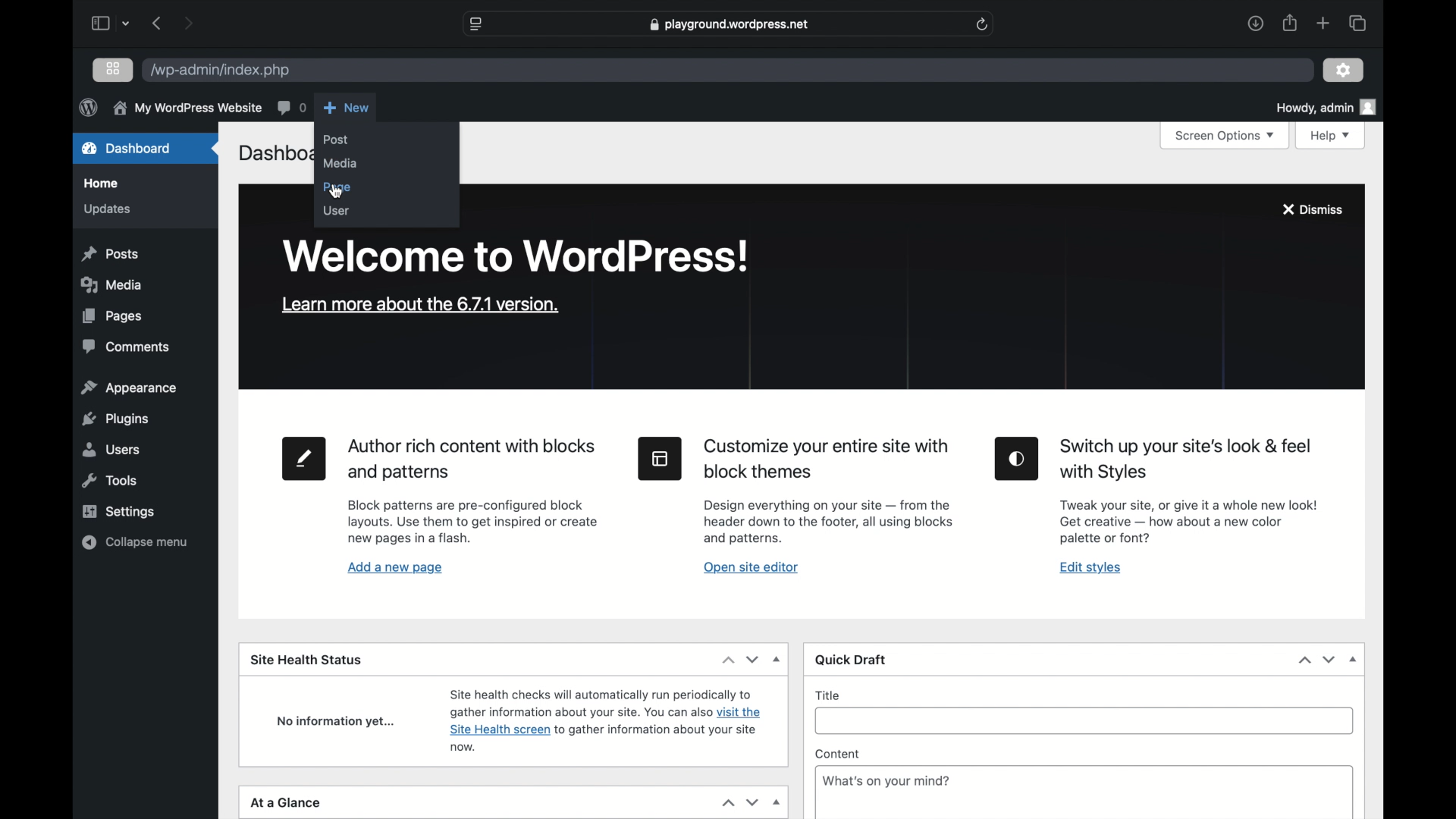 This screenshot has height=819, width=1456. Describe the element at coordinates (112, 68) in the screenshot. I see `grid view` at that location.